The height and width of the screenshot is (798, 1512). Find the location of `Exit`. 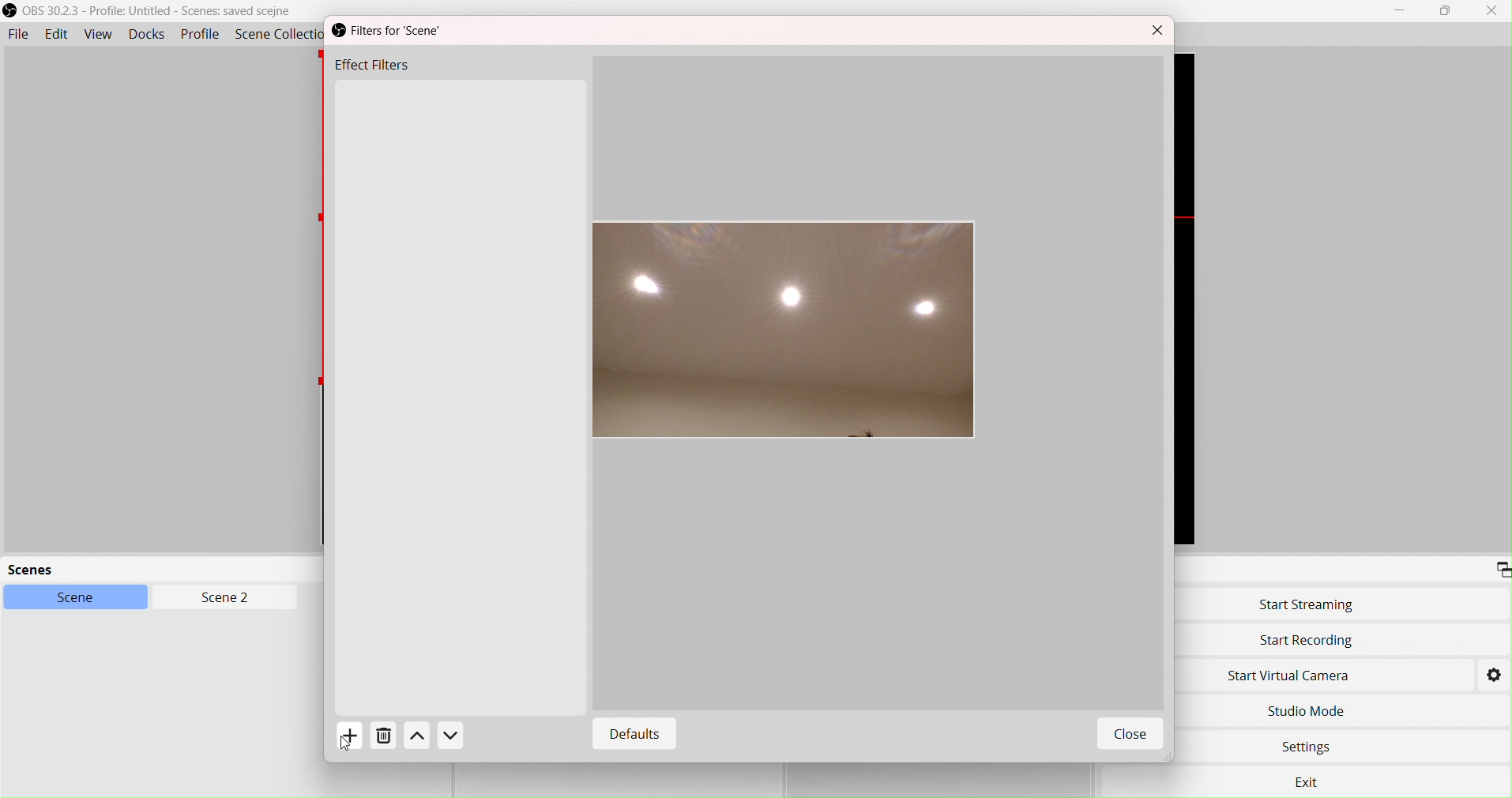

Exit is located at coordinates (1315, 783).